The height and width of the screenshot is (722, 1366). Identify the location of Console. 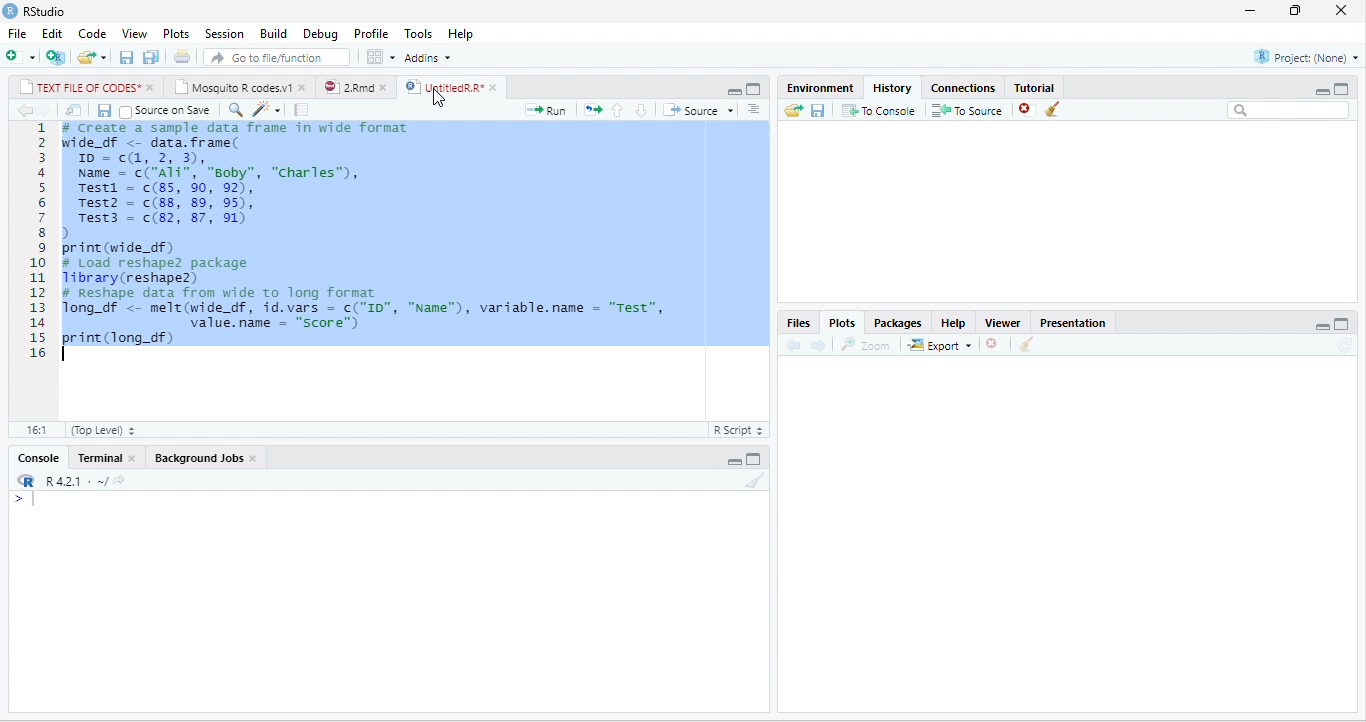
(38, 457).